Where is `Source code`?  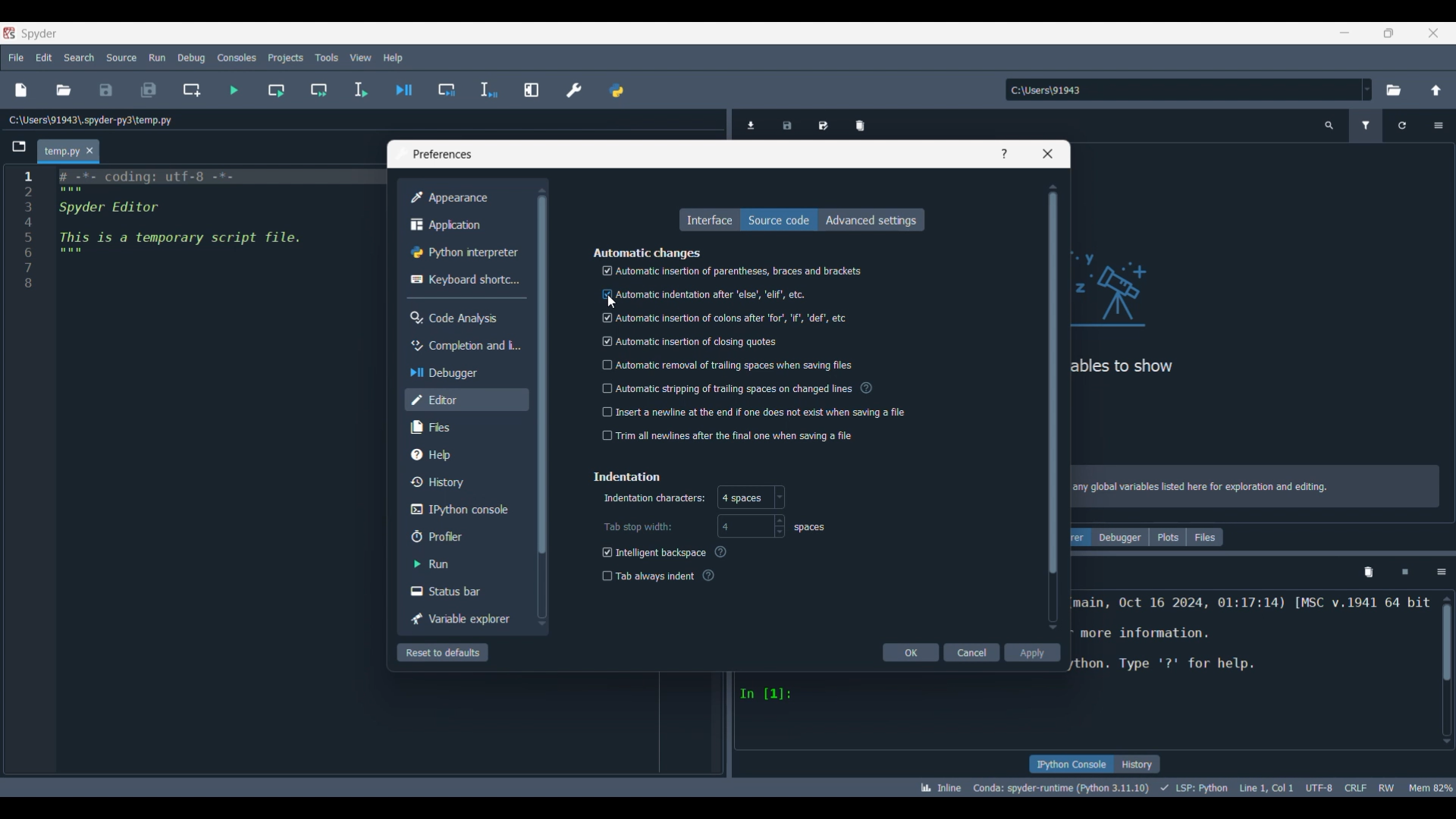
Source code is located at coordinates (779, 220).